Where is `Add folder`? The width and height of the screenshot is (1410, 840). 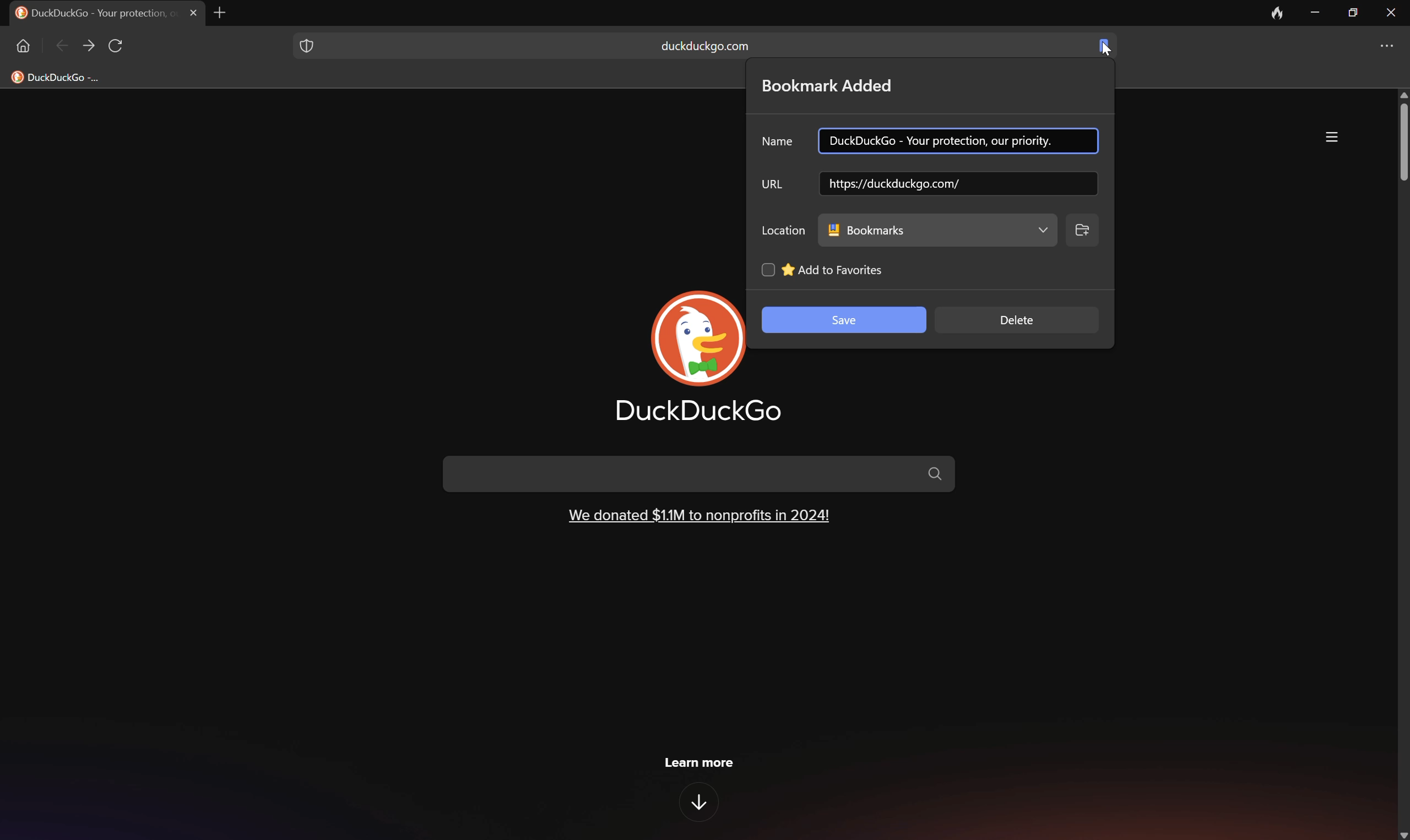 Add folder is located at coordinates (1083, 229).